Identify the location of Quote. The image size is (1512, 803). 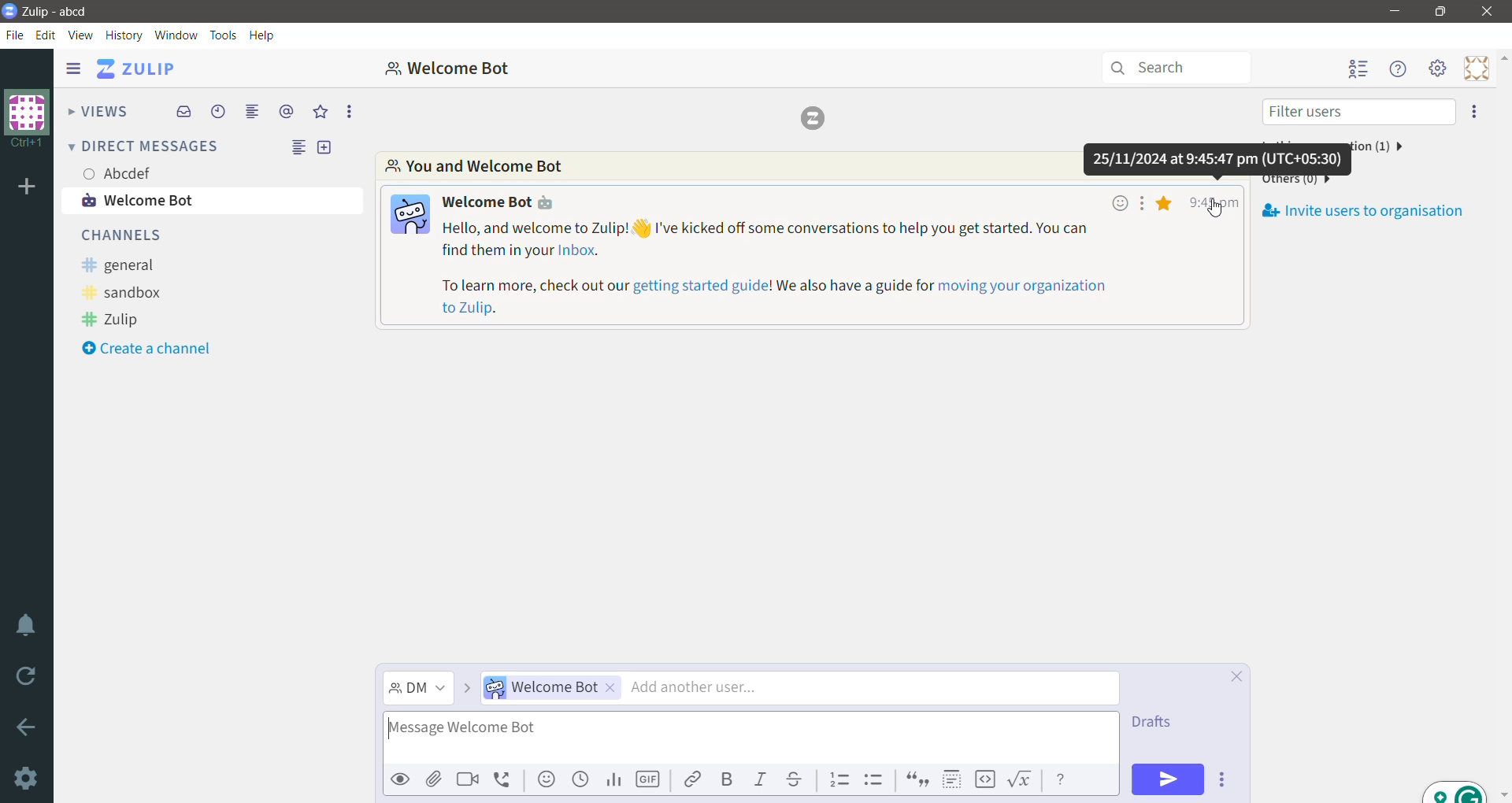
(918, 781).